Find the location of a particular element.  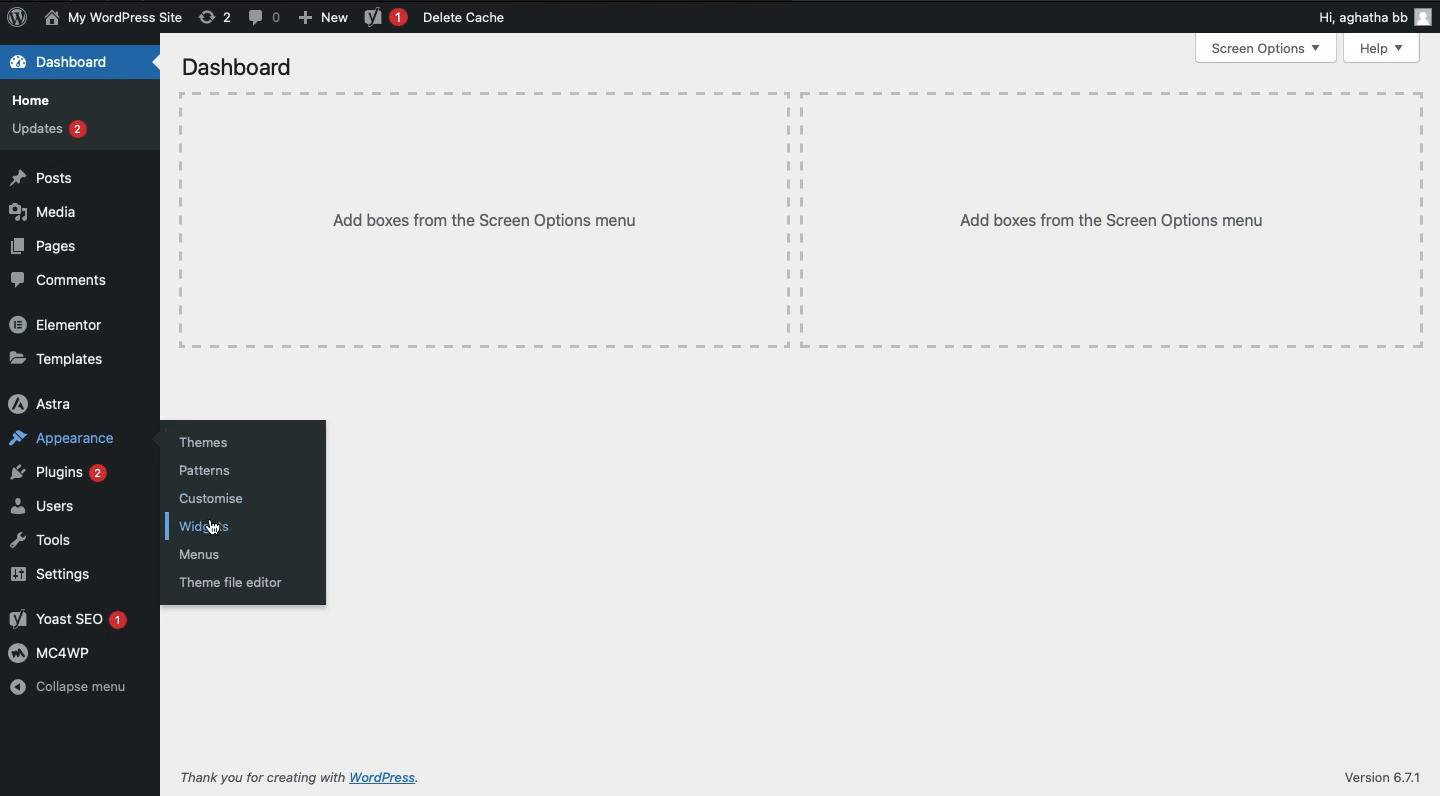

# Posts is located at coordinates (47, 173).